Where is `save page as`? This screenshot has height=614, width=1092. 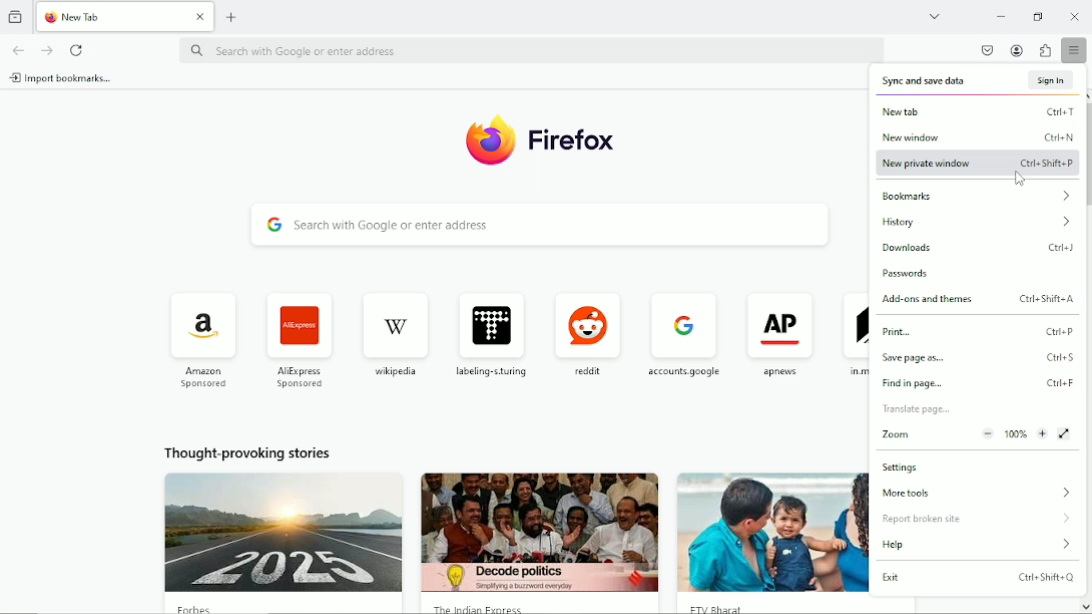
save page as is located at coordinates (977, 358).